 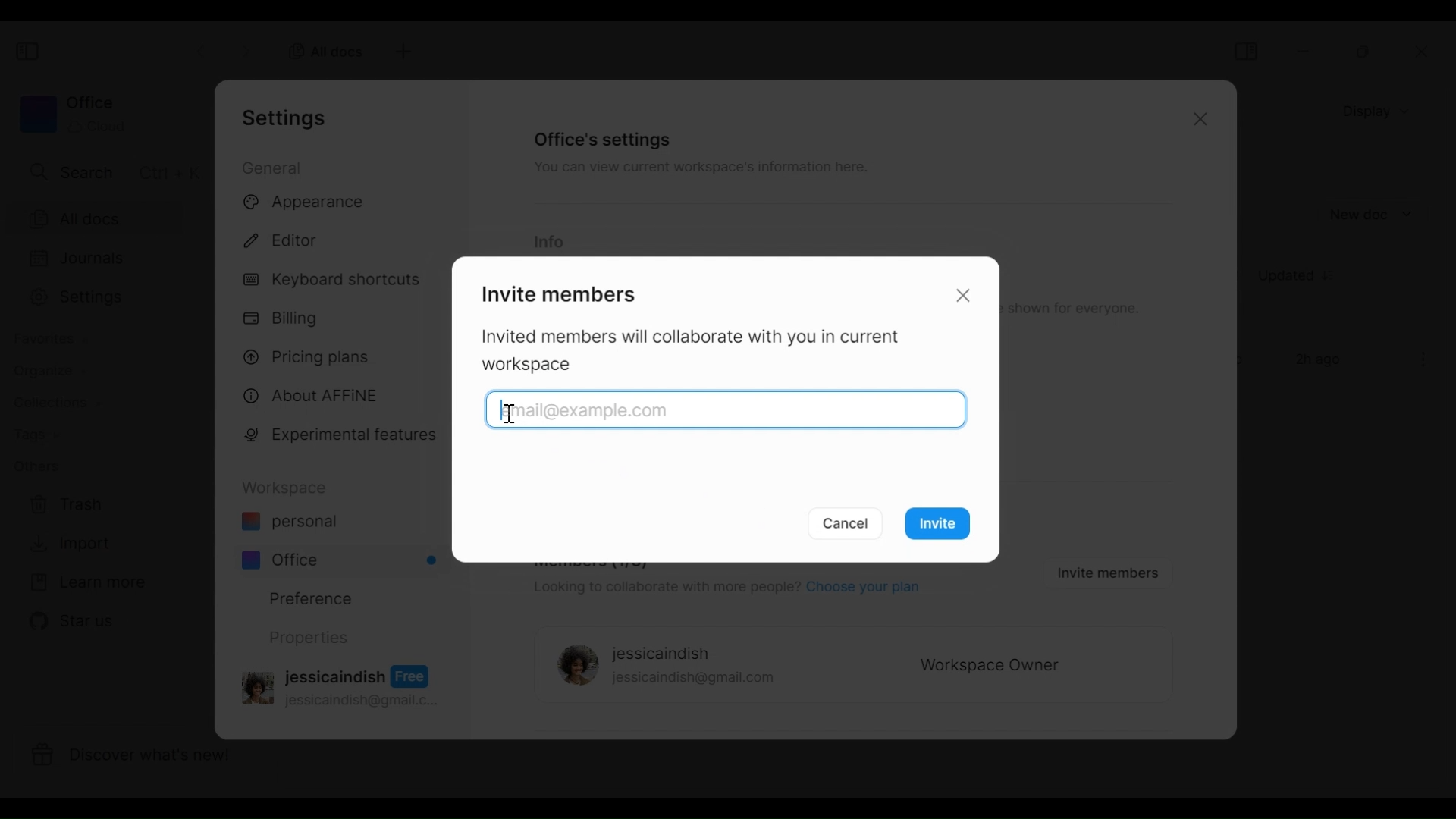 I want to click on Member"s email address, so click(x=729, y=411).